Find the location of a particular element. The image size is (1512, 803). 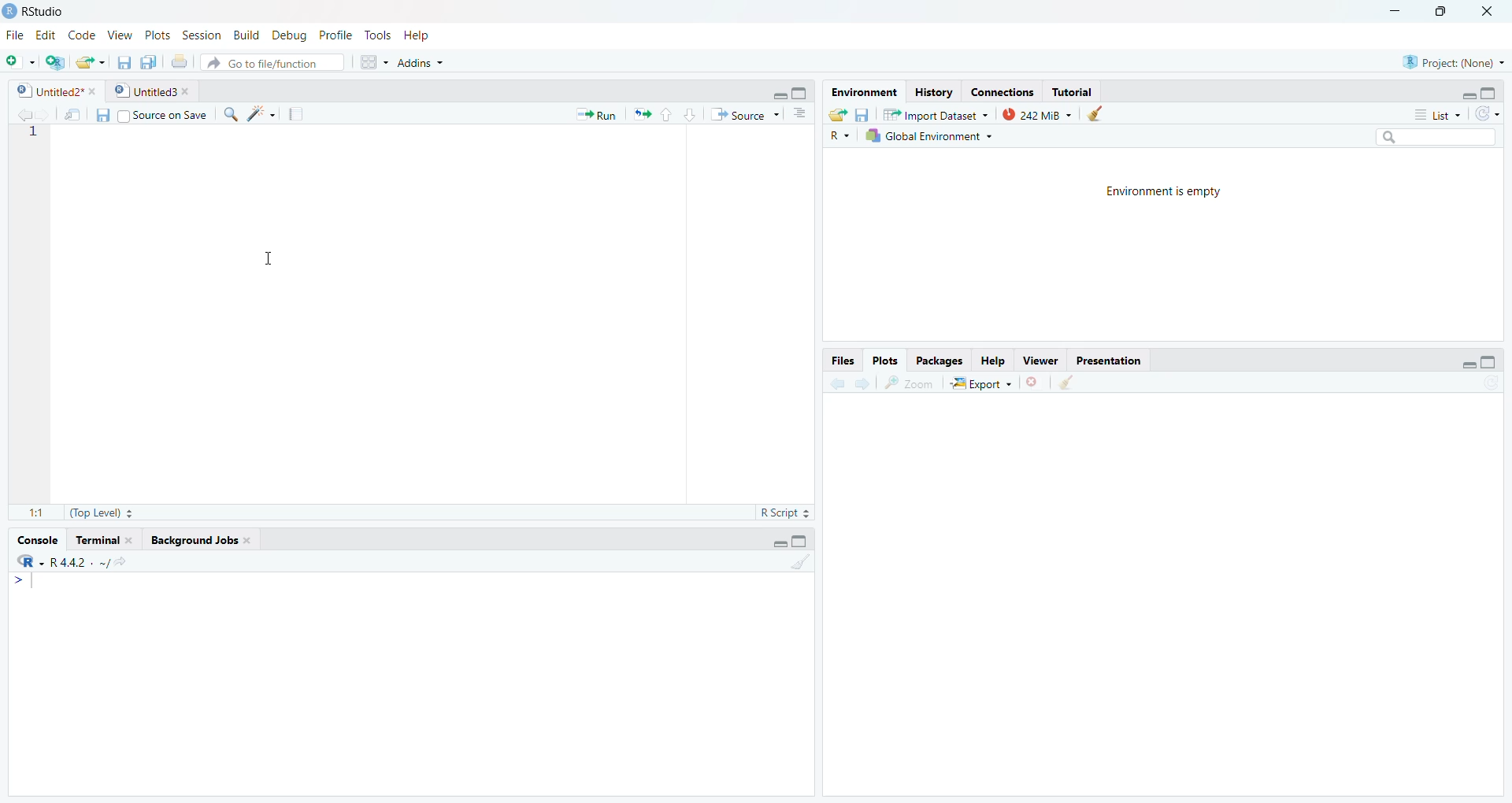

Minimize is located at coordinates (1395, 11).